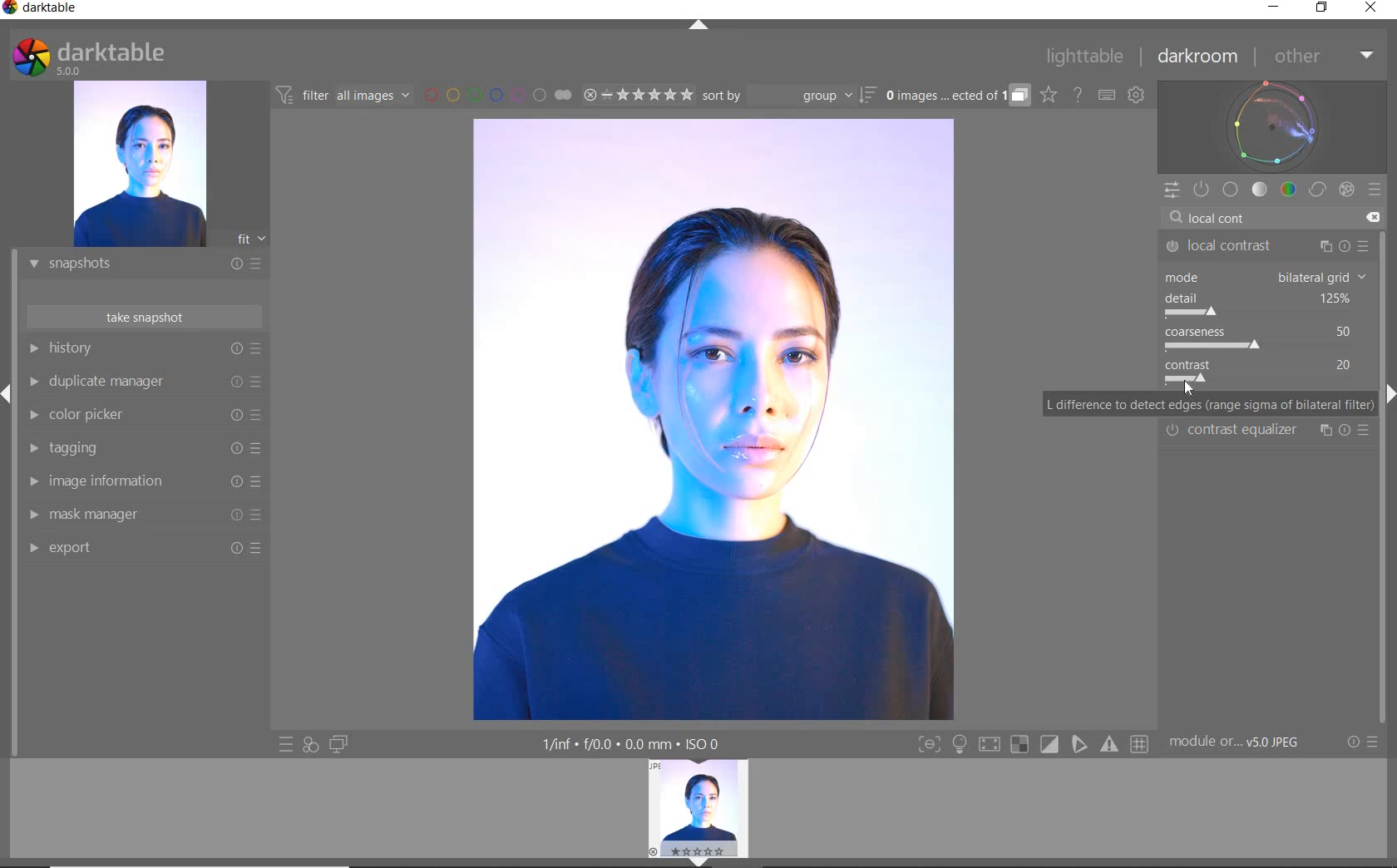 The width and height of the screenshot is (1397, 868). Describe the element at coordinates (309, 744) in the screenshot. I see `QUICK ACCESS FOR APPLYING ANY OF YOUR STYLES` at that location.